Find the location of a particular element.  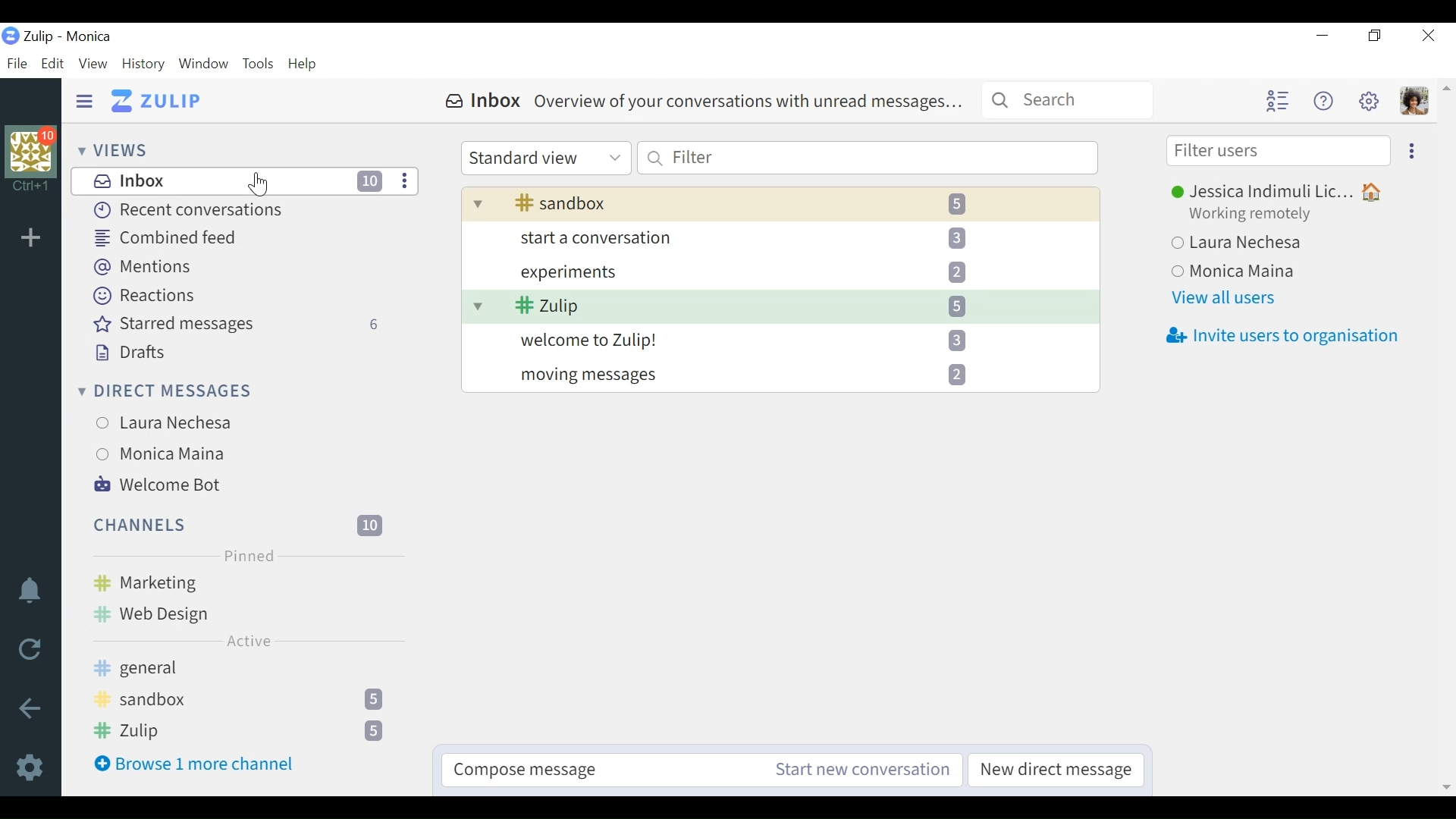

Start new conversations is located at coordinates (858, 772).